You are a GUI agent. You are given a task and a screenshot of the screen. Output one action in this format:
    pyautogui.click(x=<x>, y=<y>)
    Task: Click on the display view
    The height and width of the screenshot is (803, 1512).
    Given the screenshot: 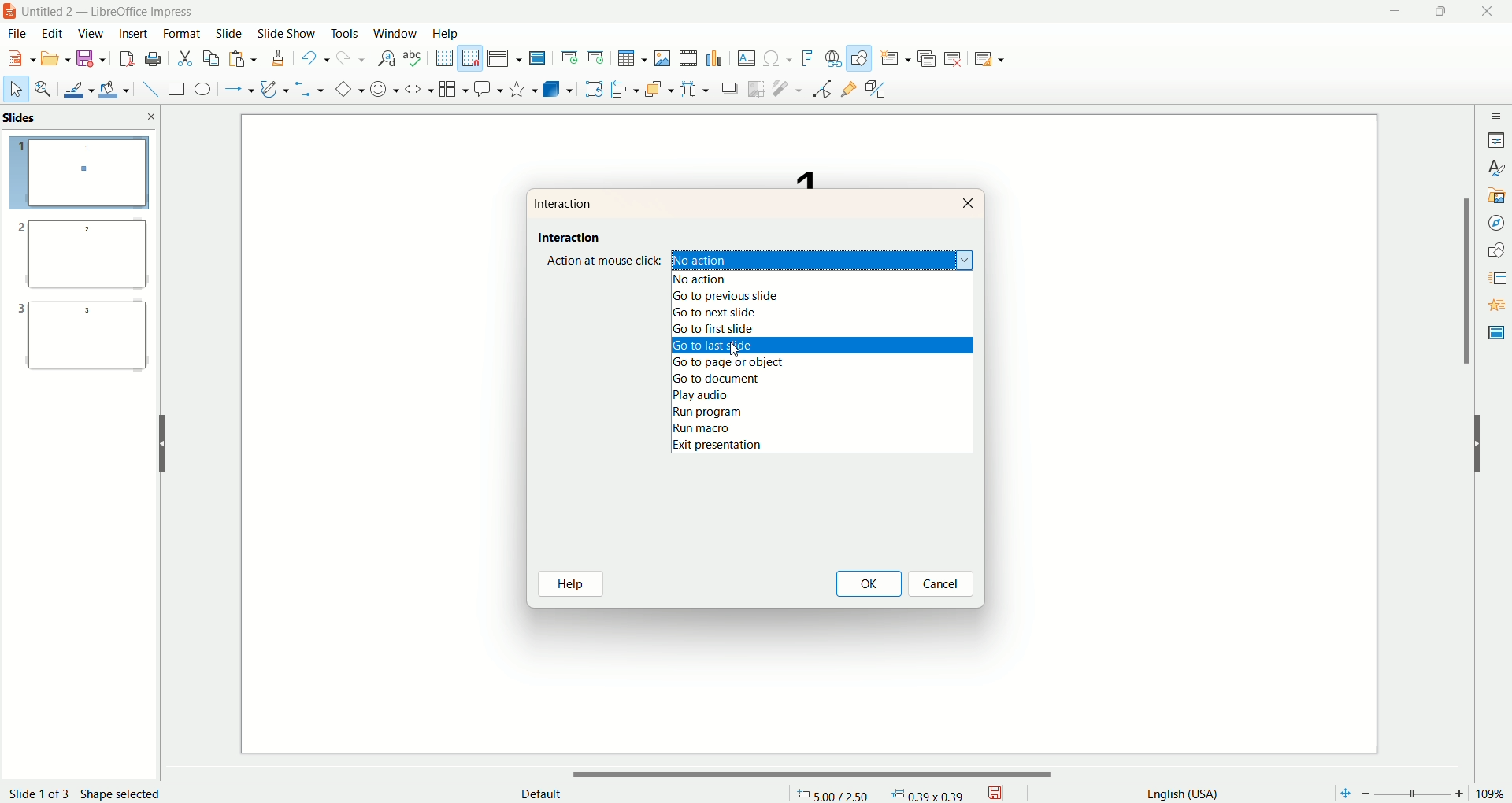 What is the action you would take?
    pyautogui.click(x=506, y=57)
    